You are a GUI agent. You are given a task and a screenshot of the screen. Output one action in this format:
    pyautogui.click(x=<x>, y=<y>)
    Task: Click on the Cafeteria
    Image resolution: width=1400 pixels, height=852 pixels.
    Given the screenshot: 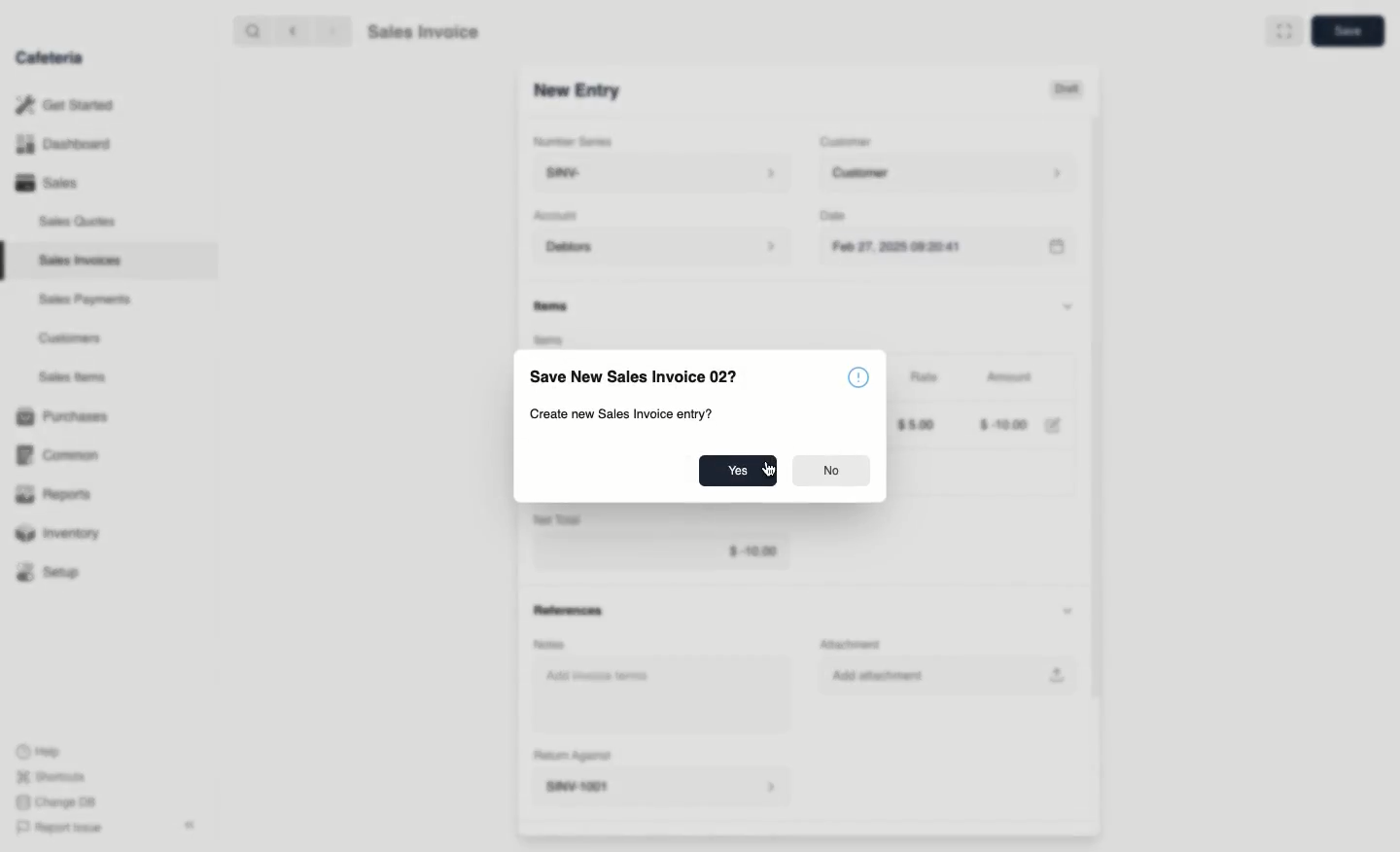 What is the action you would take?
    pyautogui.click(x=49, y=58)
    